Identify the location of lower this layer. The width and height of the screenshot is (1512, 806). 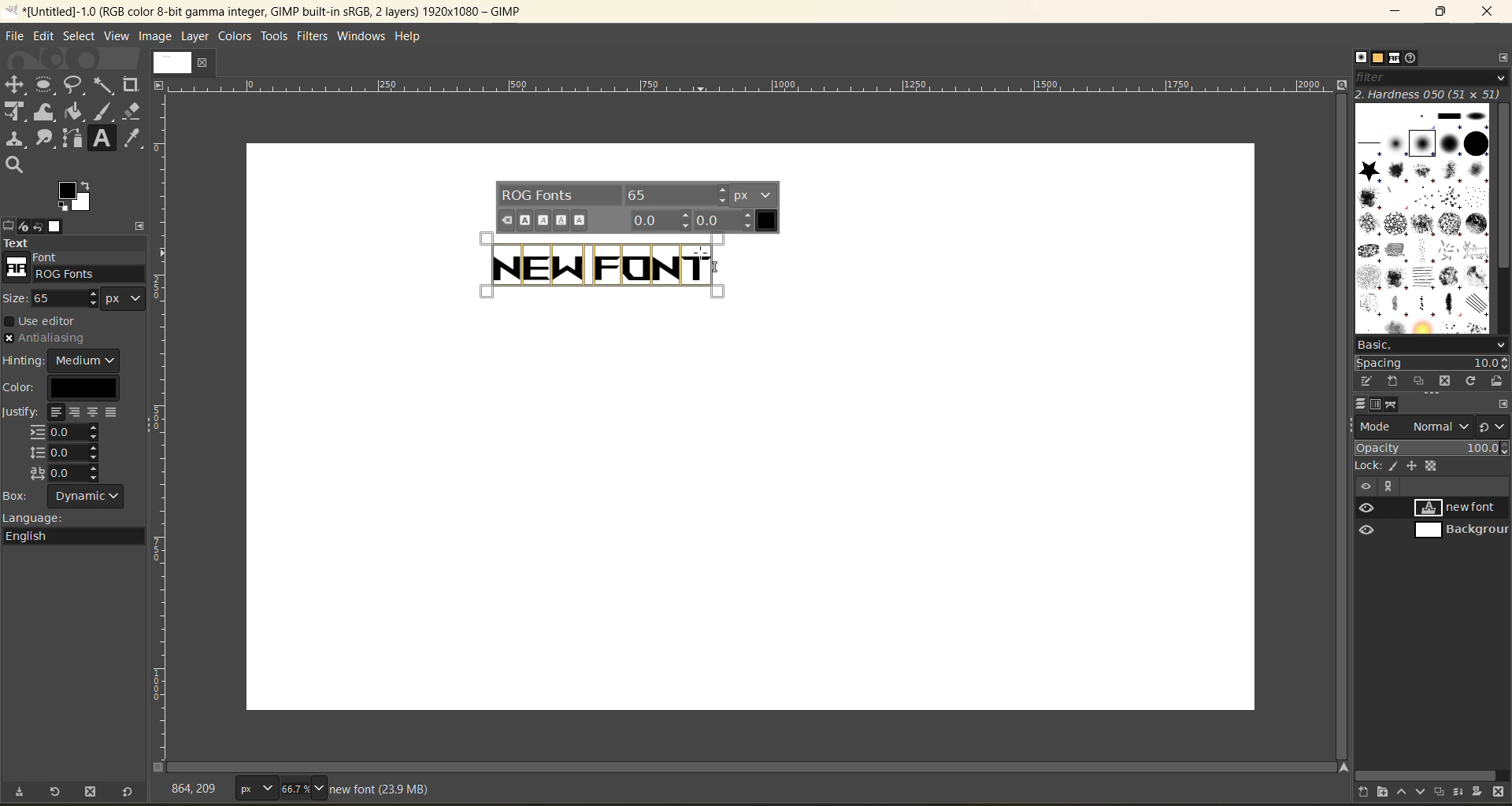
(1420, 793).